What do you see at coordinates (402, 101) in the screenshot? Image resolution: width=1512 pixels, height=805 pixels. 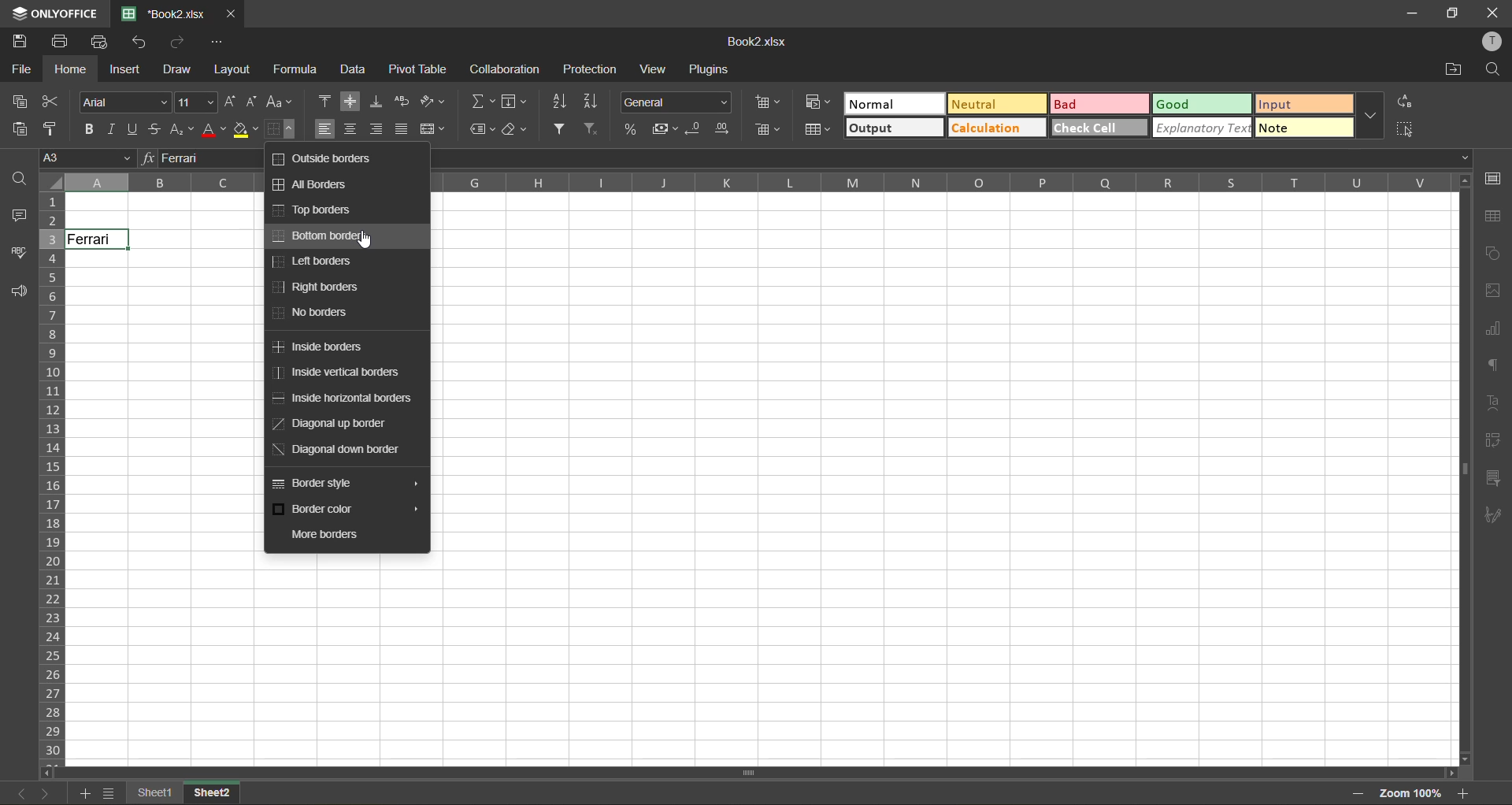 I see `wrap text` at bounding box center [402, 101].